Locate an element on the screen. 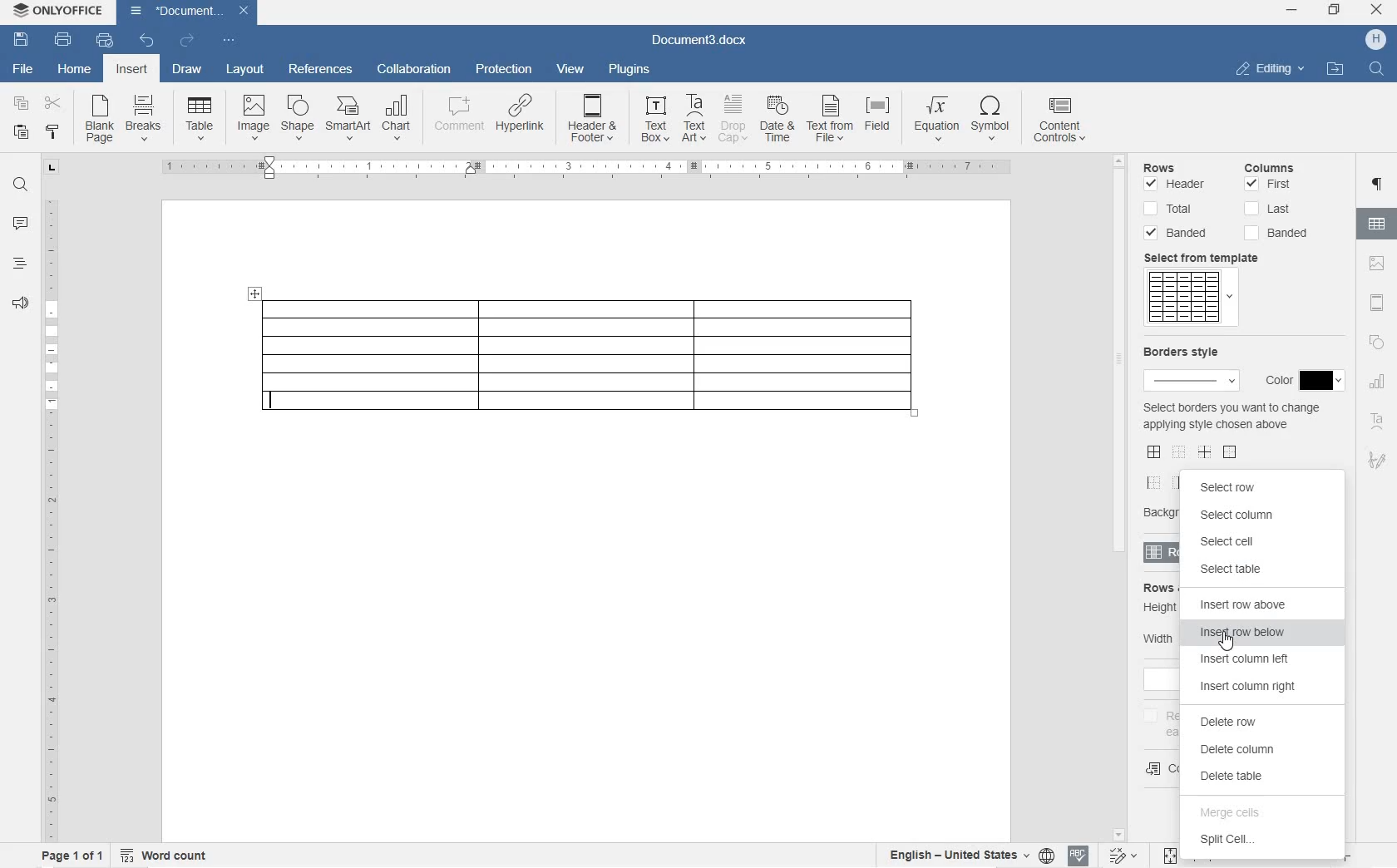 The height and width of the screenshot is (868, 1397). OPEN FILE LOCATION is located at coordinates (1333, 67).